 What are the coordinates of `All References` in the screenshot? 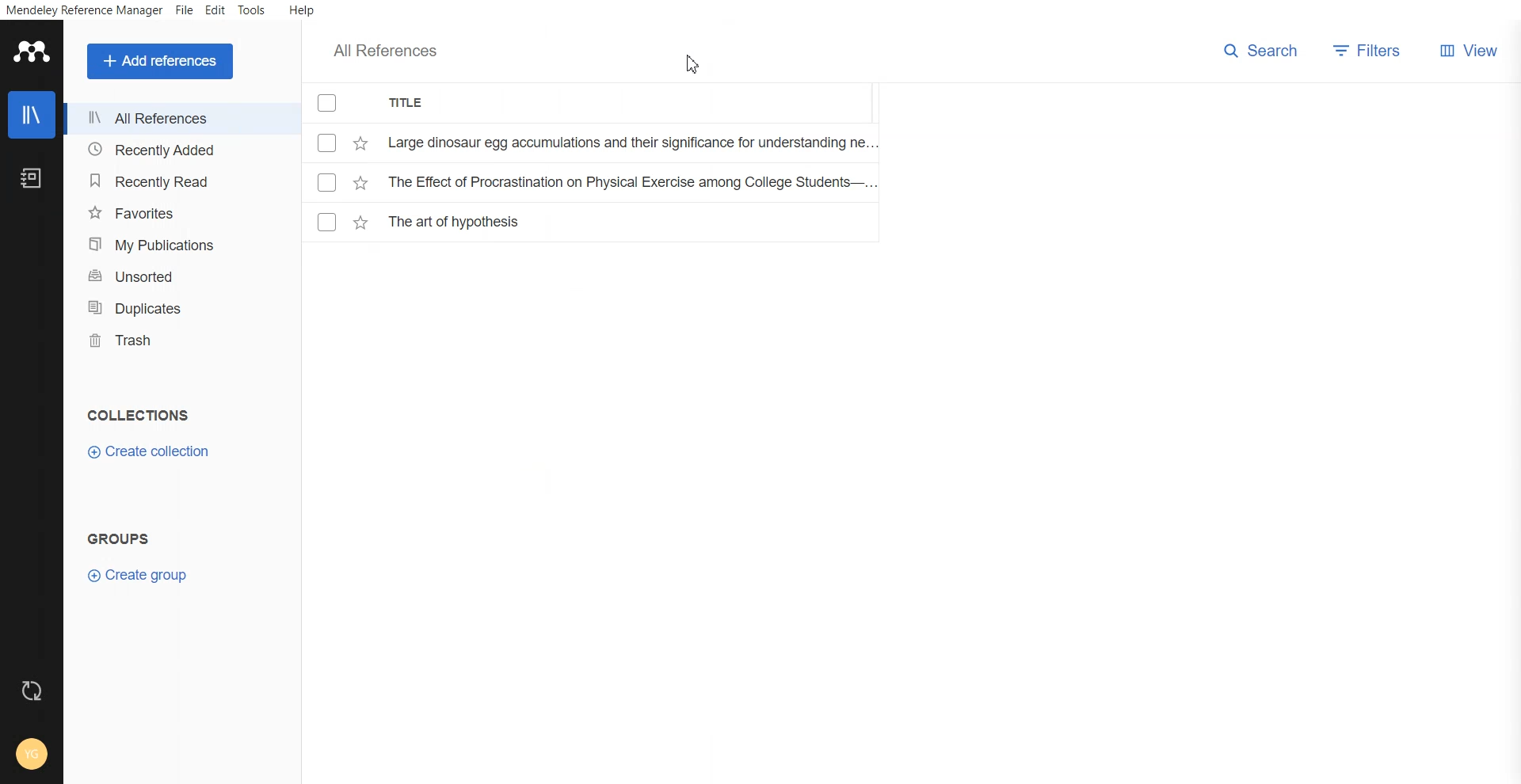 It's located at (384, 51).